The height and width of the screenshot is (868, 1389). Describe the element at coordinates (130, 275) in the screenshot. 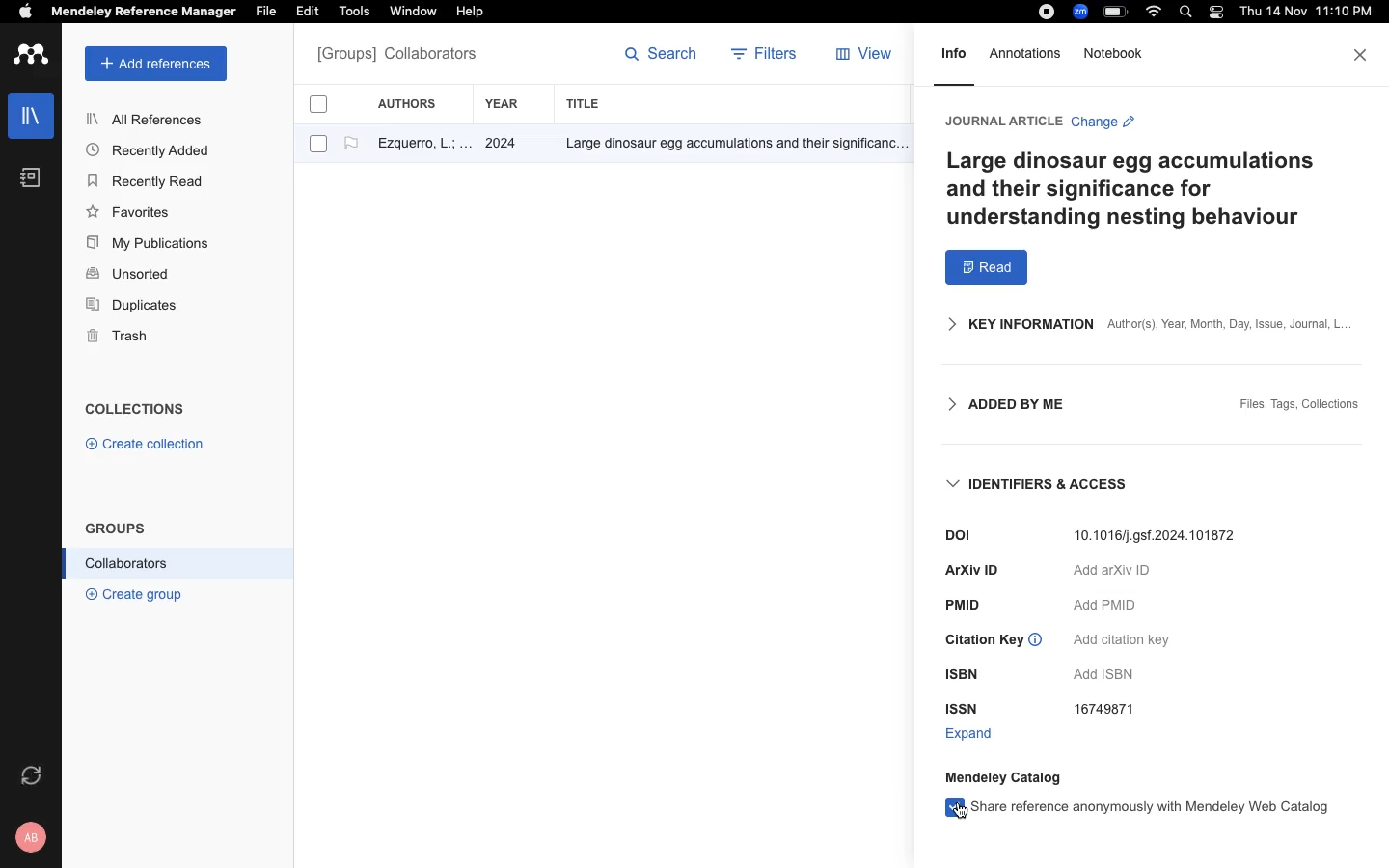

I see `Unsorted` at that location.